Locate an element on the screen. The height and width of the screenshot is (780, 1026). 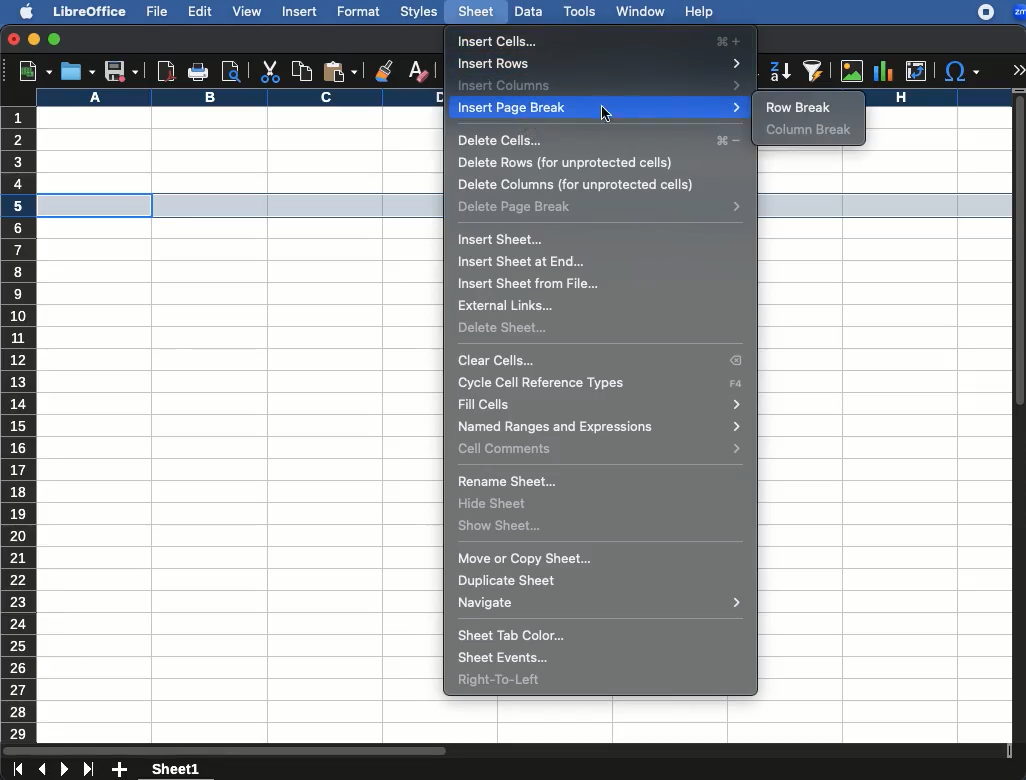
sheet tab color is located at coordinates (515, 635).